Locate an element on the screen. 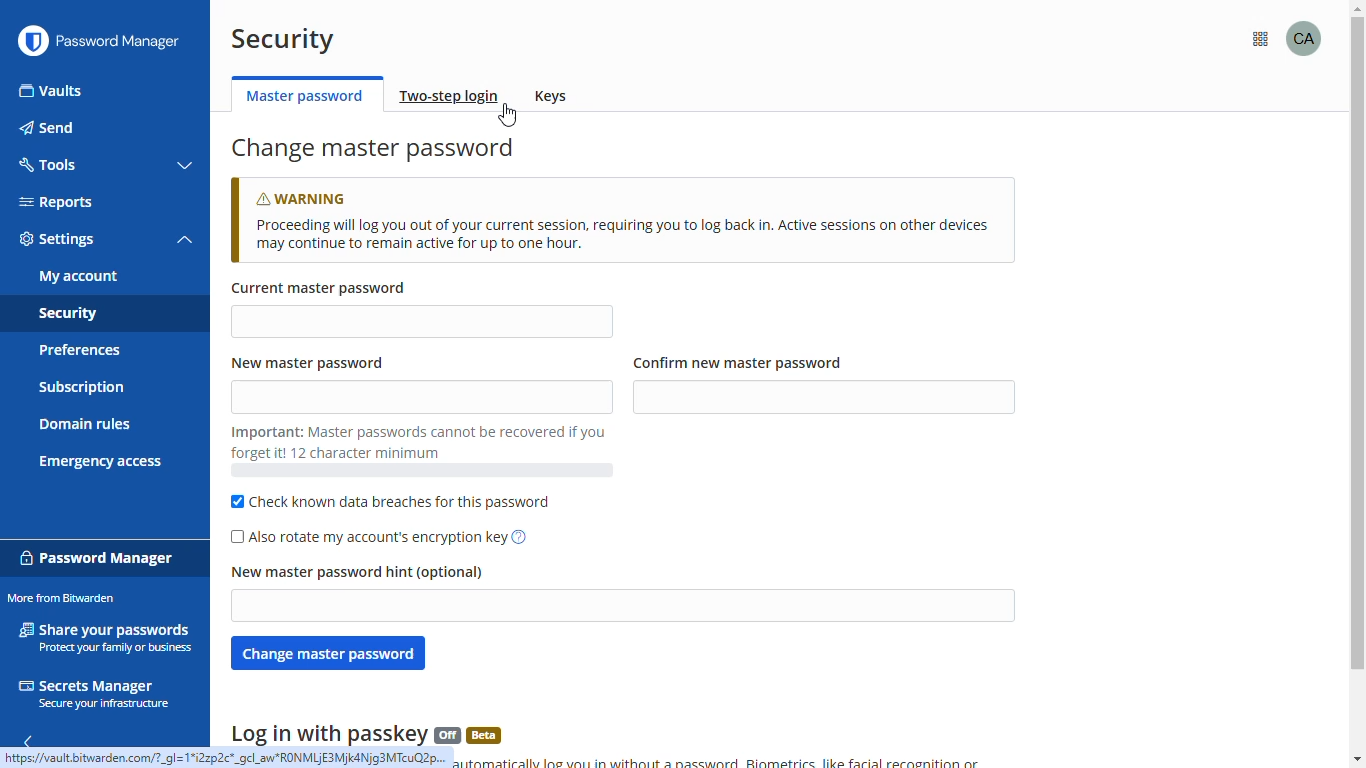  also rotate my account's encryption key is located at coordinates (369, 537).